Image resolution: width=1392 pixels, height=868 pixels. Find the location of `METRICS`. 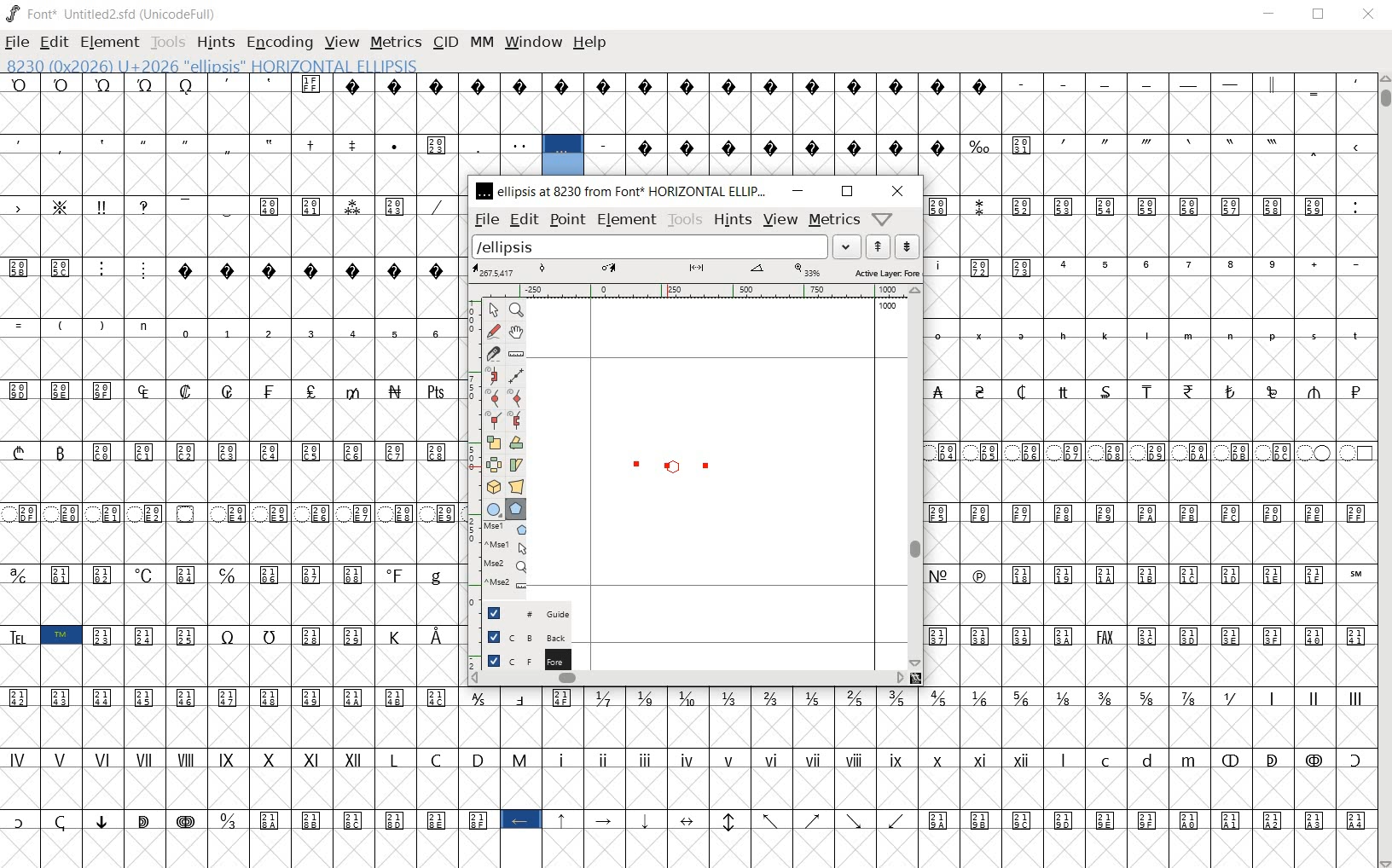

METRICS is located at coordinates (396, 42).